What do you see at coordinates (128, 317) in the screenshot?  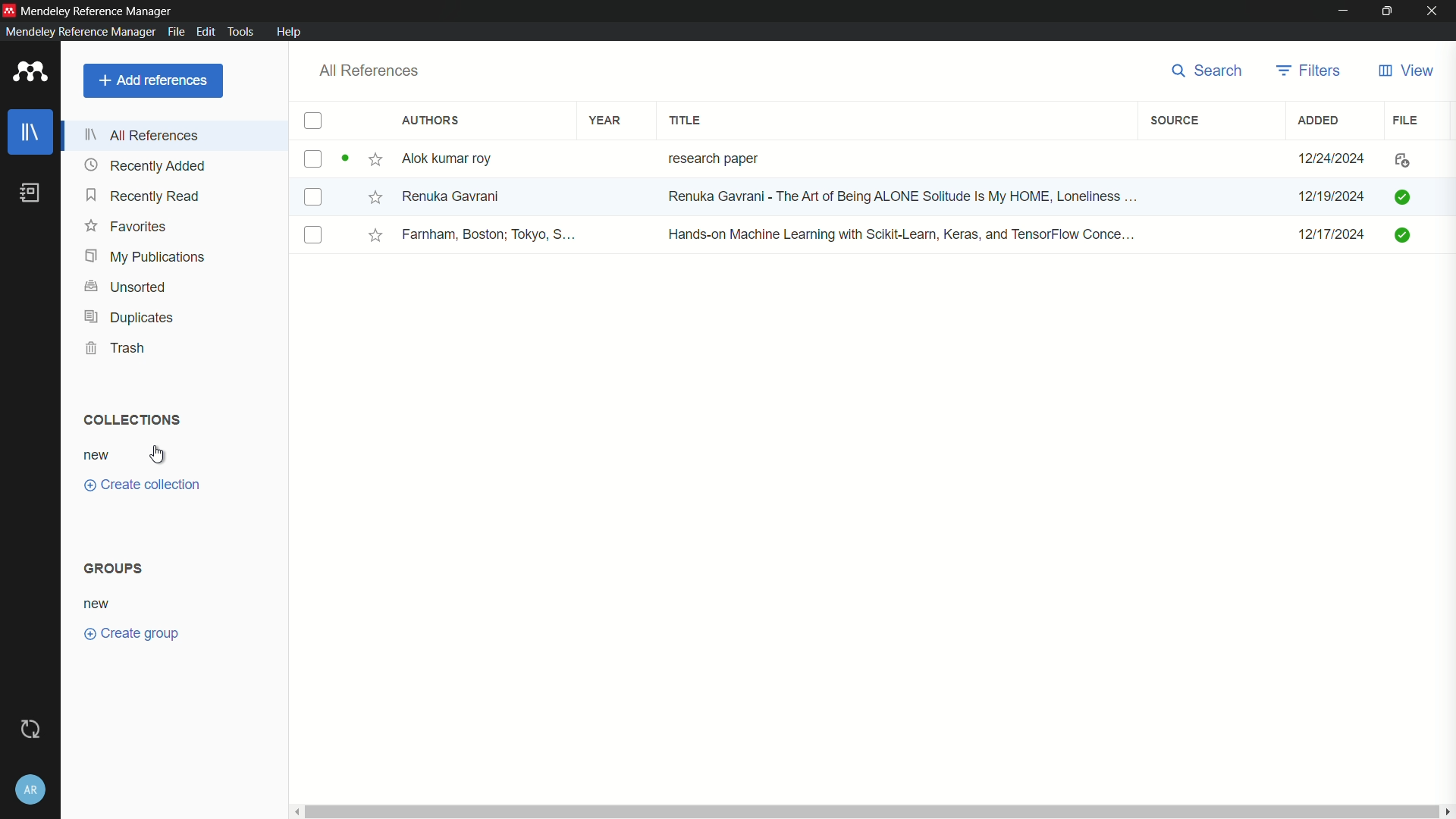 I see `duplicates` at bounding box center [128, 317].